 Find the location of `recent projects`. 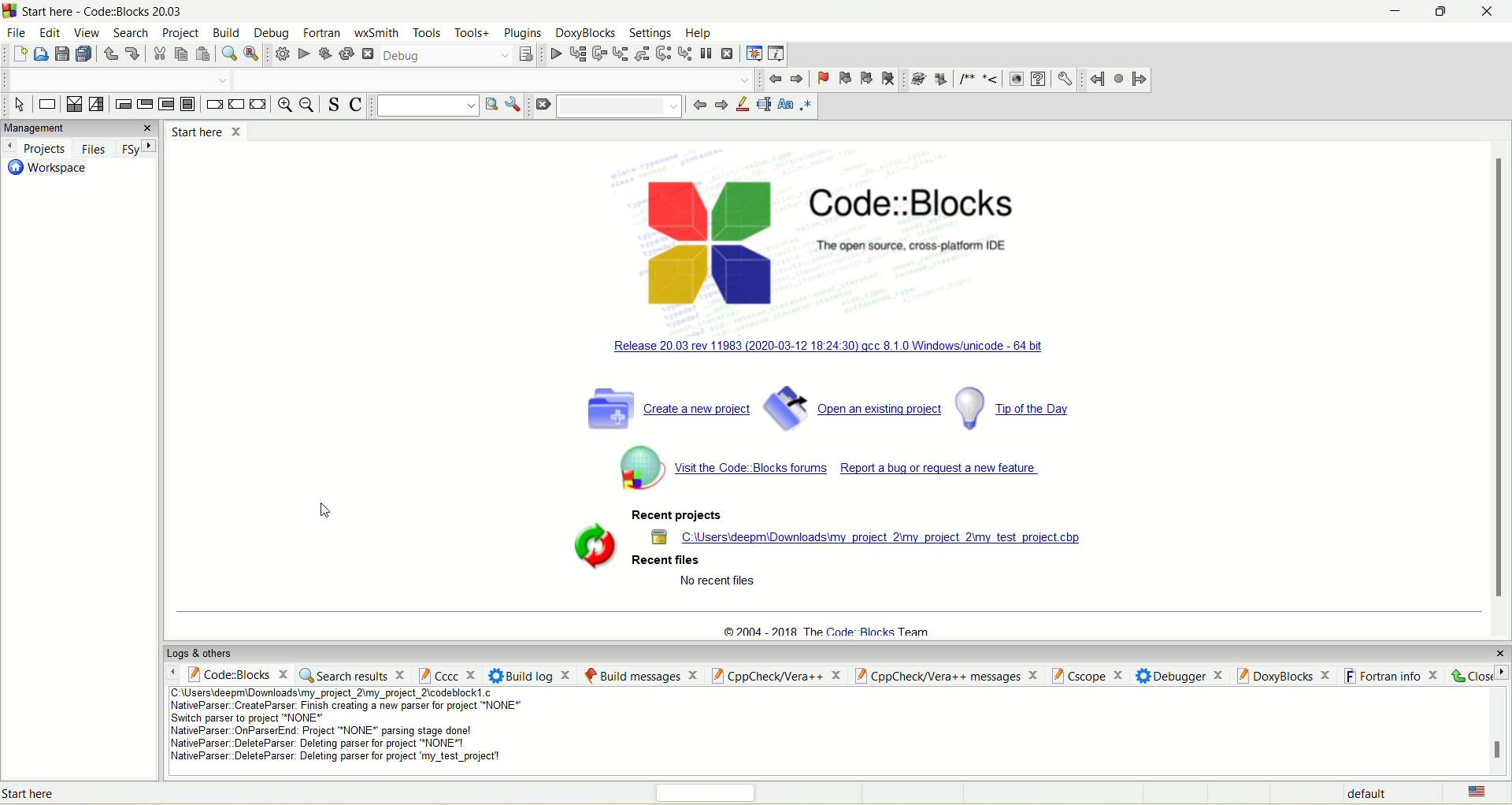

recent projects is located at coordinates (681, 516).